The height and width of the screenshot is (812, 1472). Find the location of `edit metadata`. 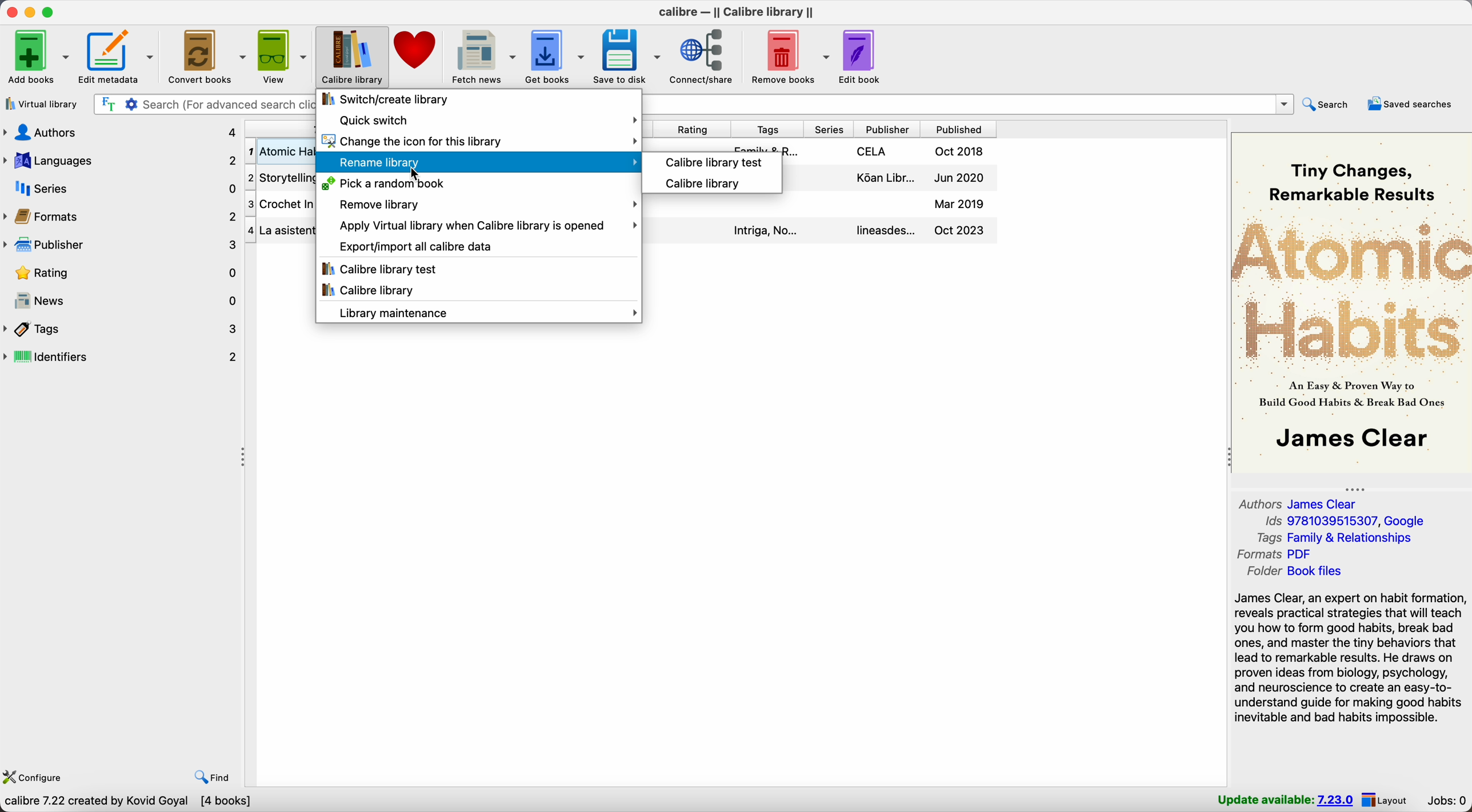

edit metadata is located at coordinates (118, 57).